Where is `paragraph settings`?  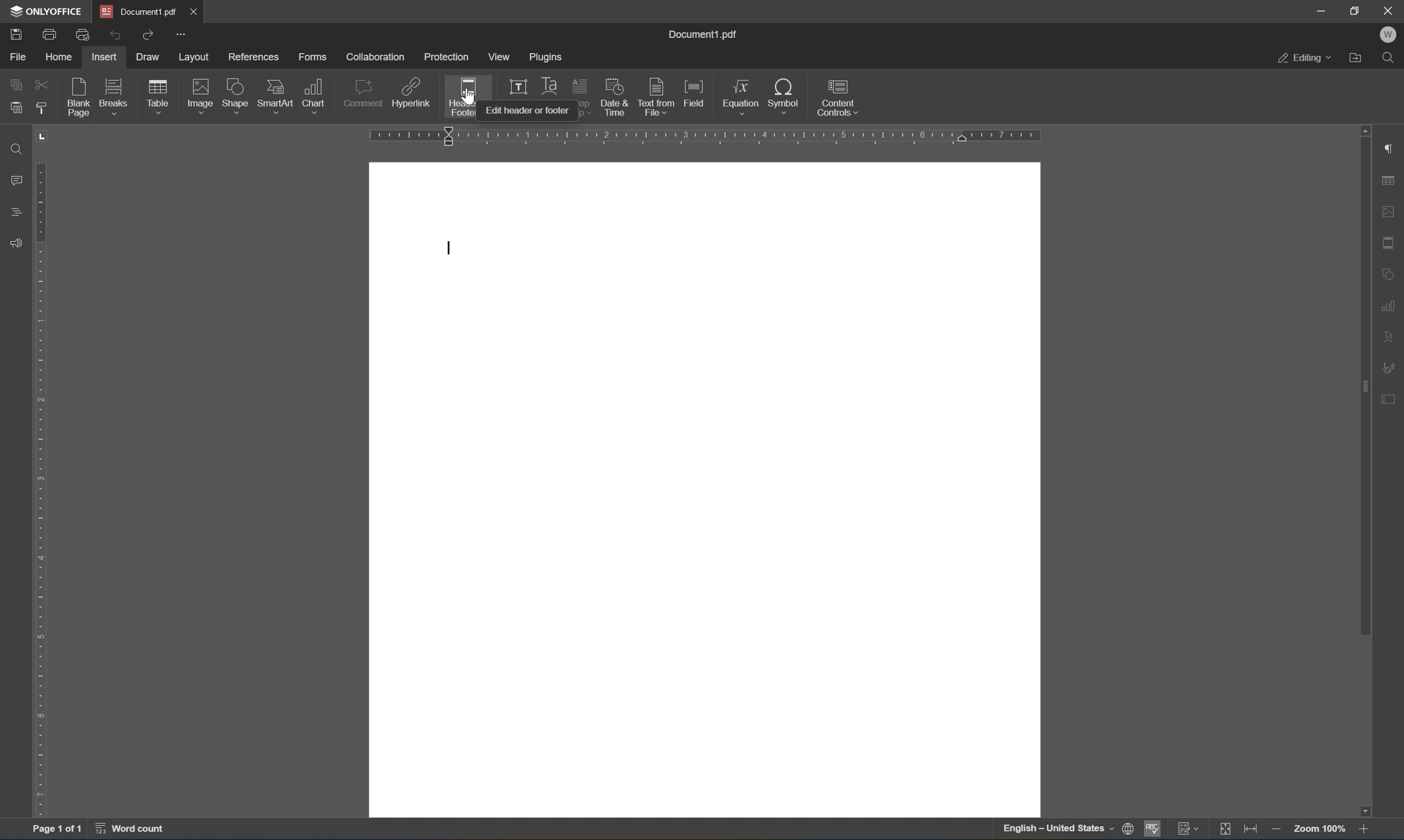
paragraph settings is located at coordinates (1392, 149).